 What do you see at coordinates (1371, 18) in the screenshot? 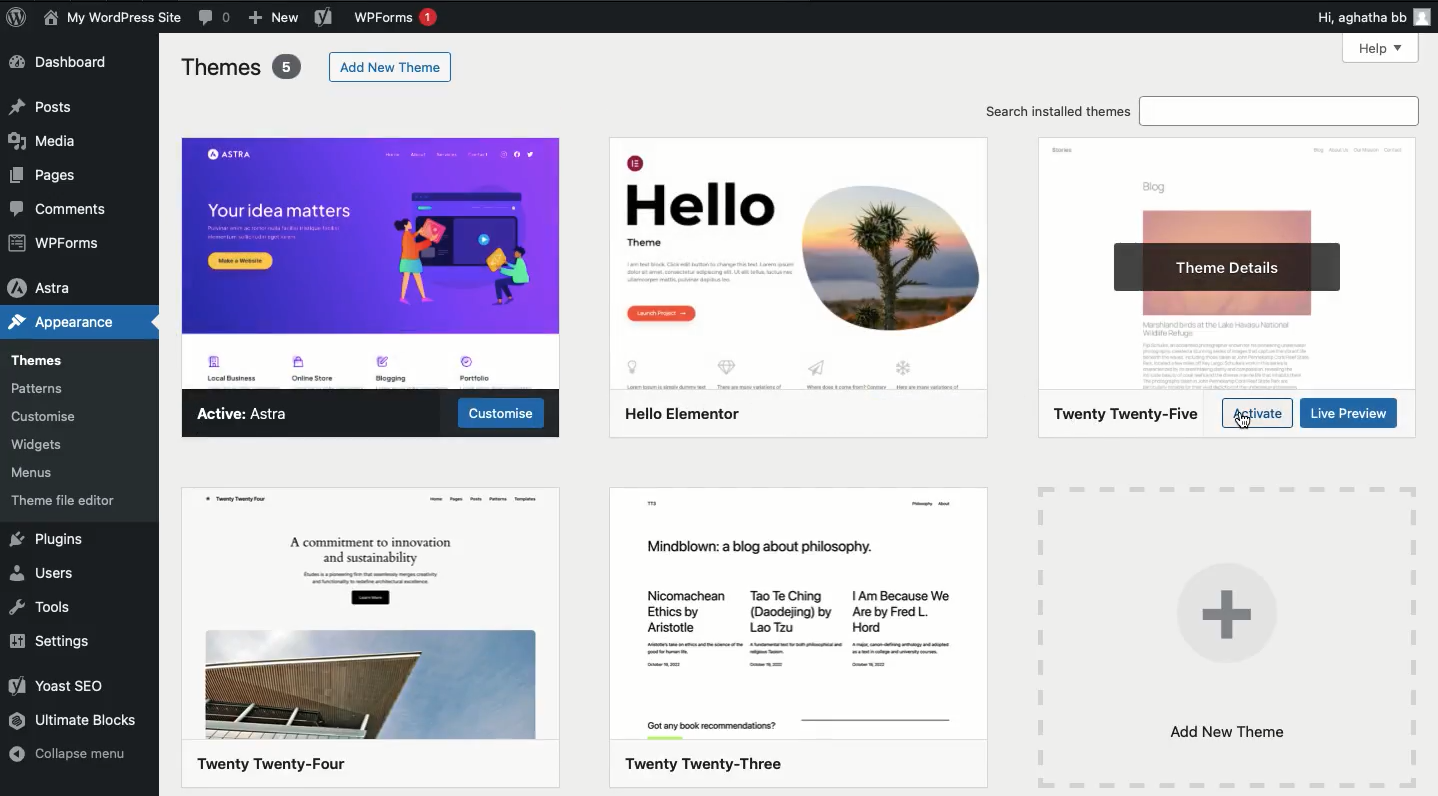
I see `Hi user` at bounding box center [1371, 18].